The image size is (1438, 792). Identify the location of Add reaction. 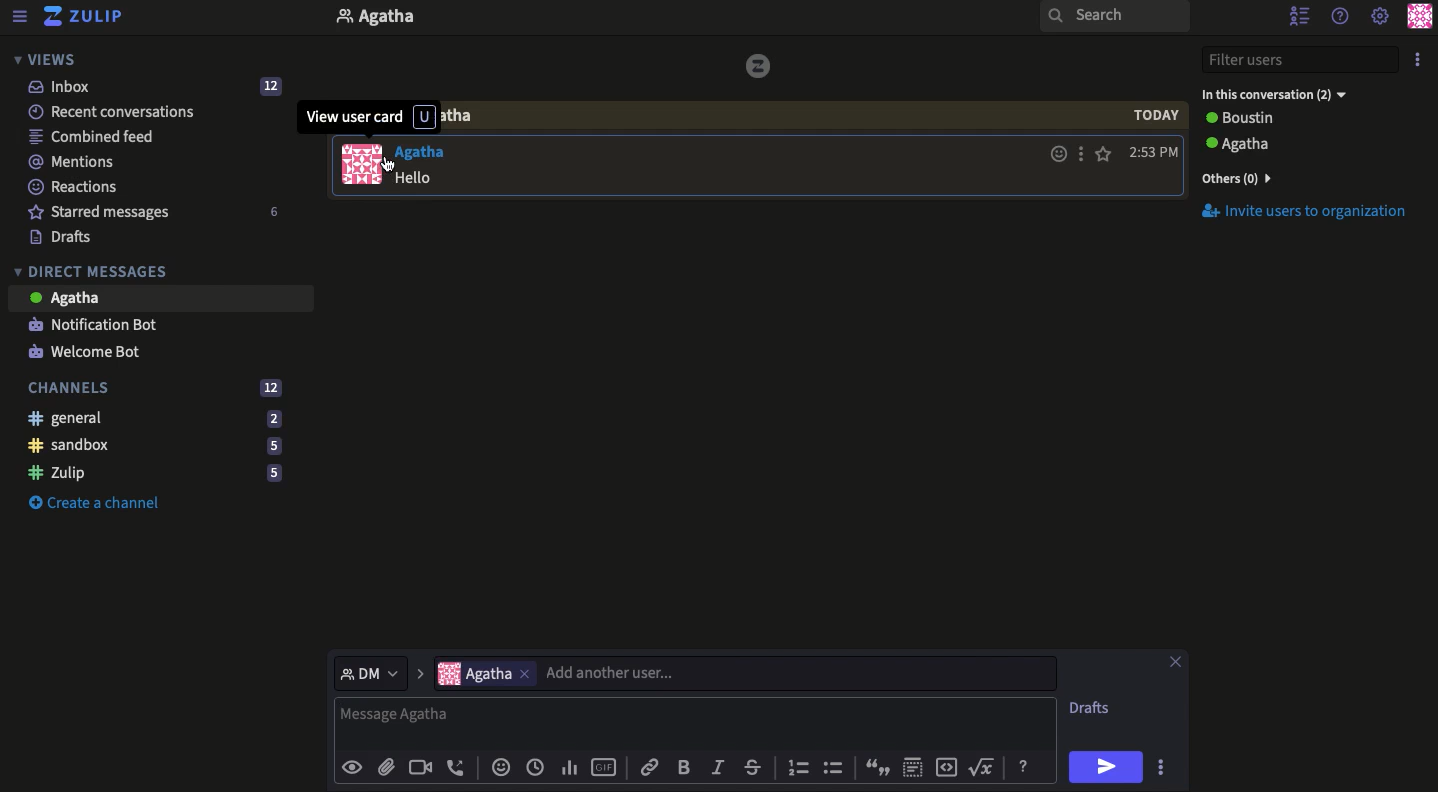
(1057, 155).